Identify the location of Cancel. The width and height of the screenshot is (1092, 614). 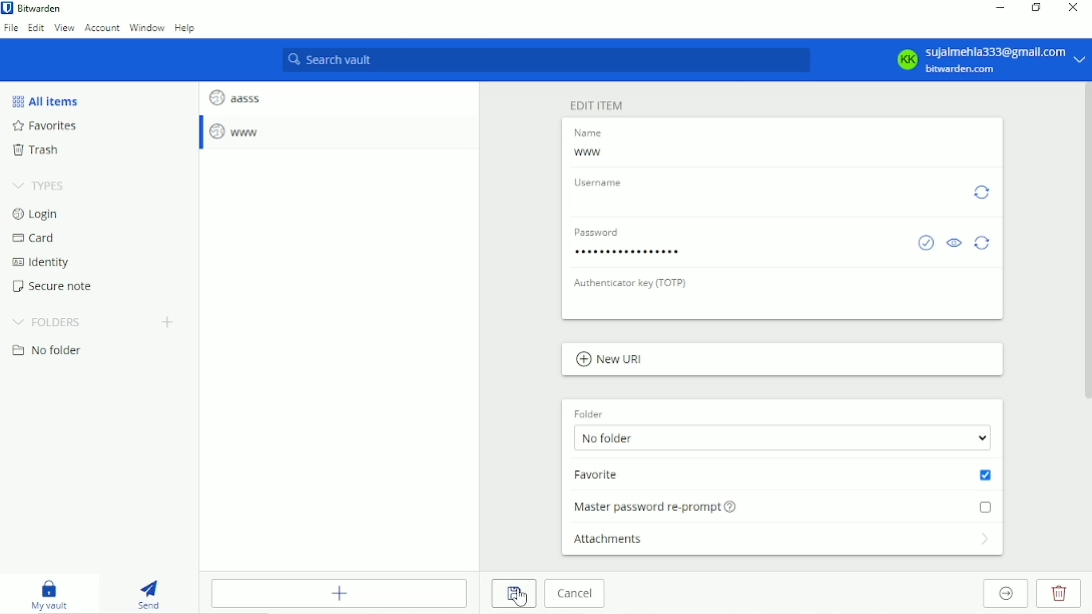
(575, 595).